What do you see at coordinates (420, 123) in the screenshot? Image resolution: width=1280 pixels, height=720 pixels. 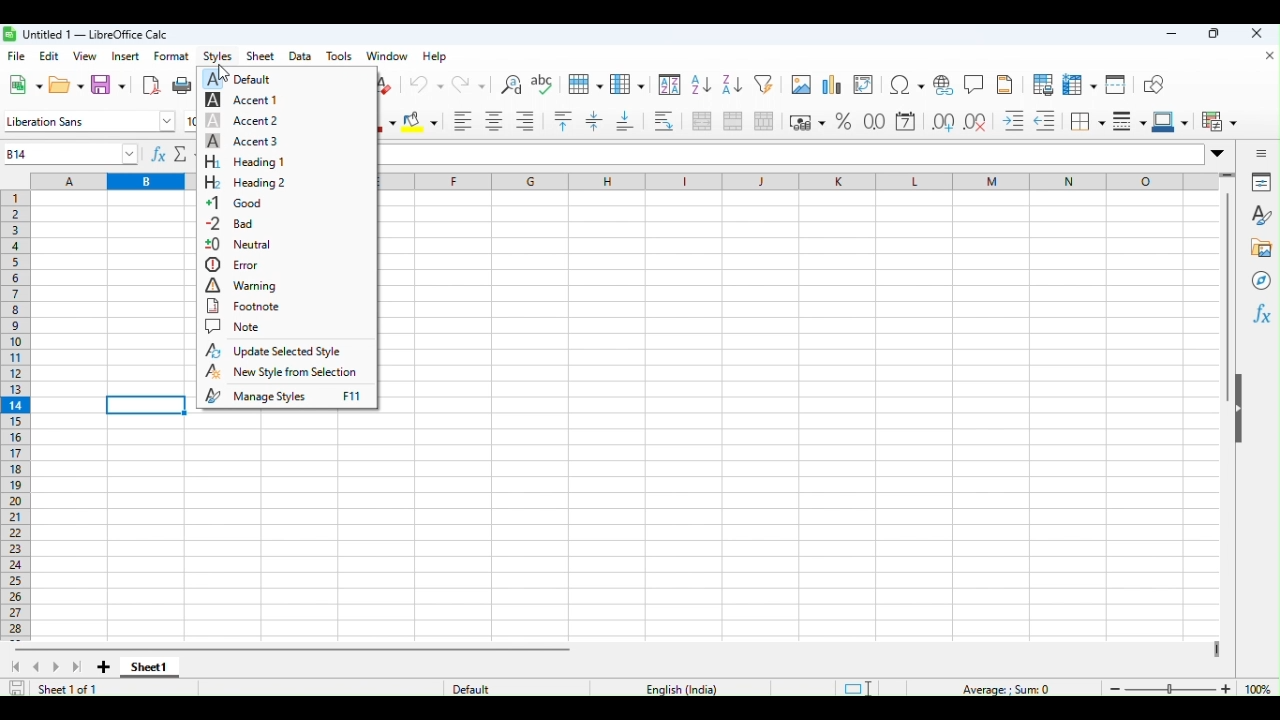 I see `fill colour` at bounding box center [420, 123].